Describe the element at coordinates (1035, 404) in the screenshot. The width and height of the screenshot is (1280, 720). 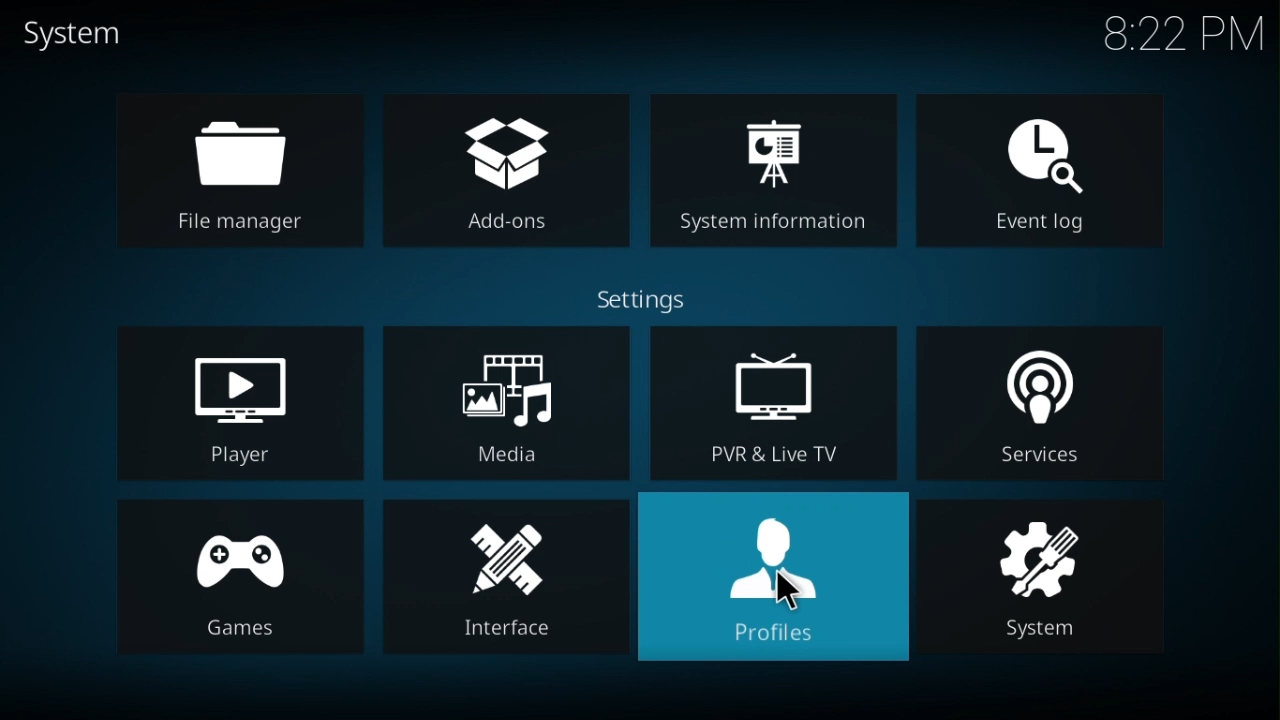
I see `services` at that location.